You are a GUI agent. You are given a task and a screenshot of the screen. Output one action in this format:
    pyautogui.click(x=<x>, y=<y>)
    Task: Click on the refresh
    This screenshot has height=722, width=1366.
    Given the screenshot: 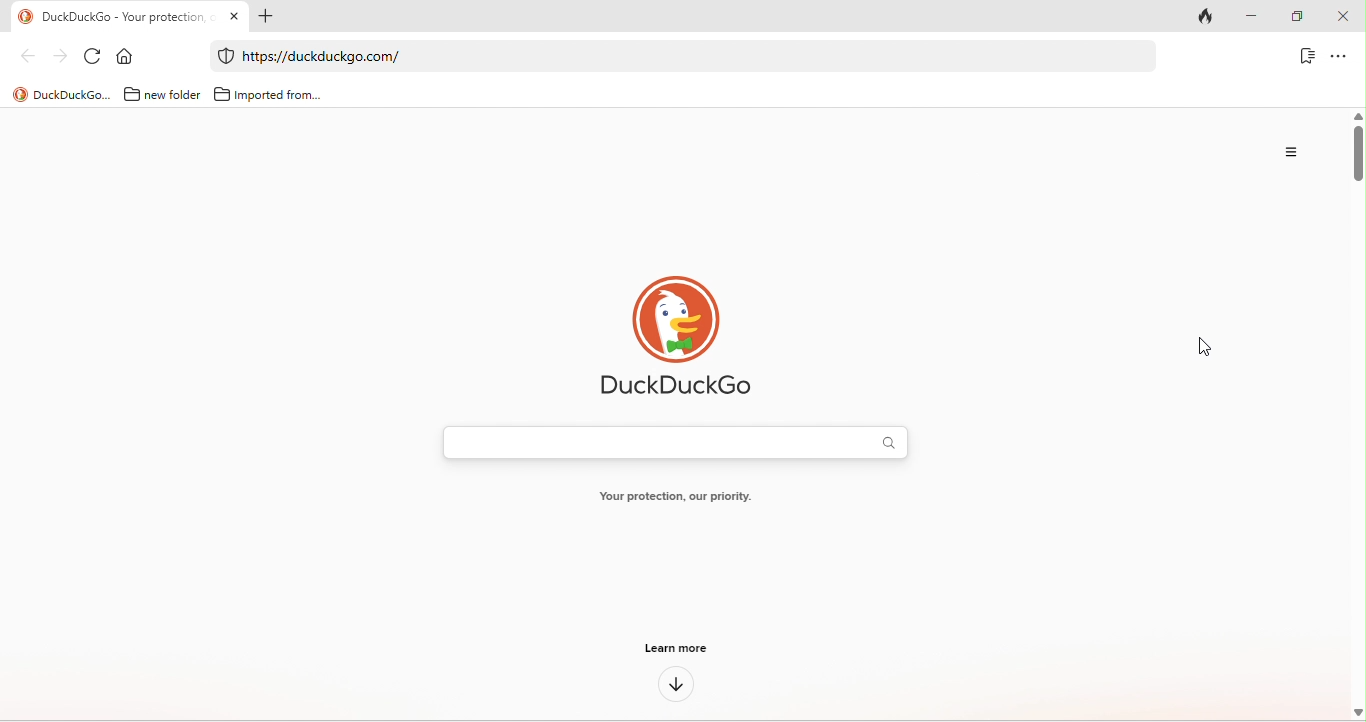 What is the action you would take?
    pyautogui.click(x=92, y=55)
    